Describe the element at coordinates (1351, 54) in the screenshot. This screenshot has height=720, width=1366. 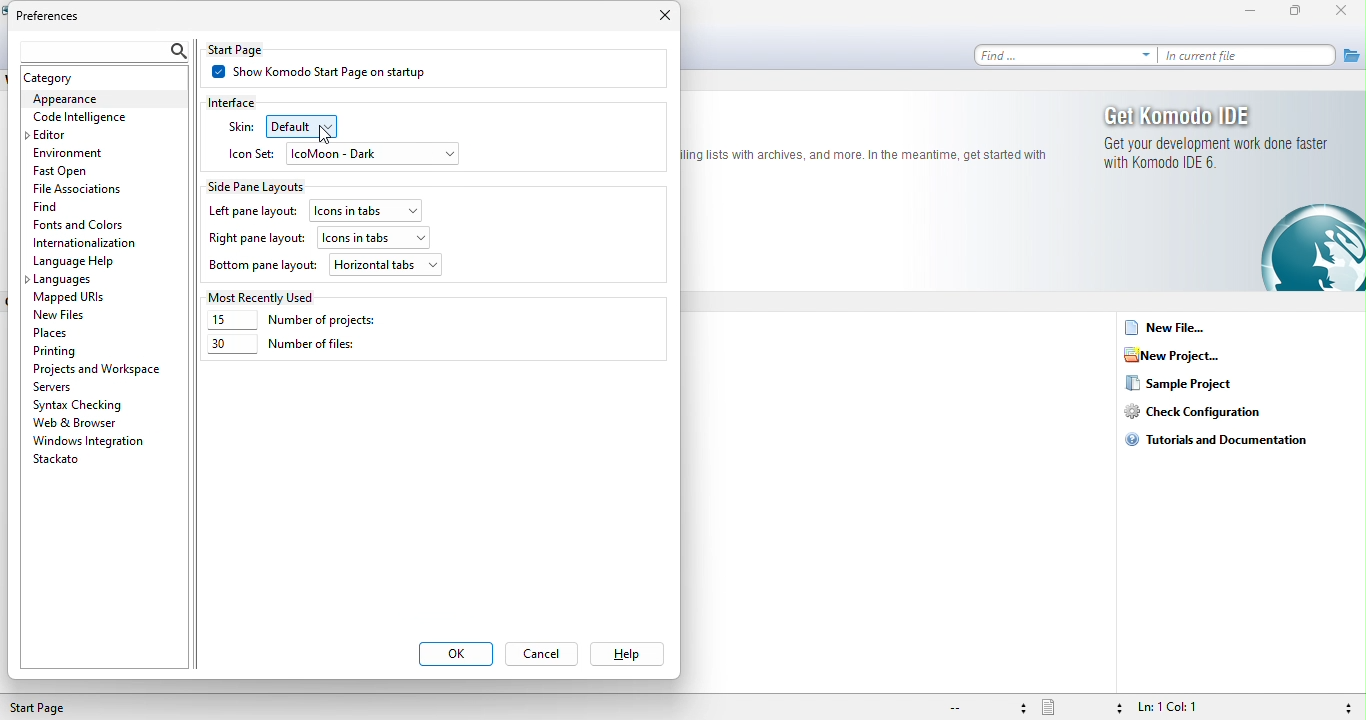
I see `file` at that location.